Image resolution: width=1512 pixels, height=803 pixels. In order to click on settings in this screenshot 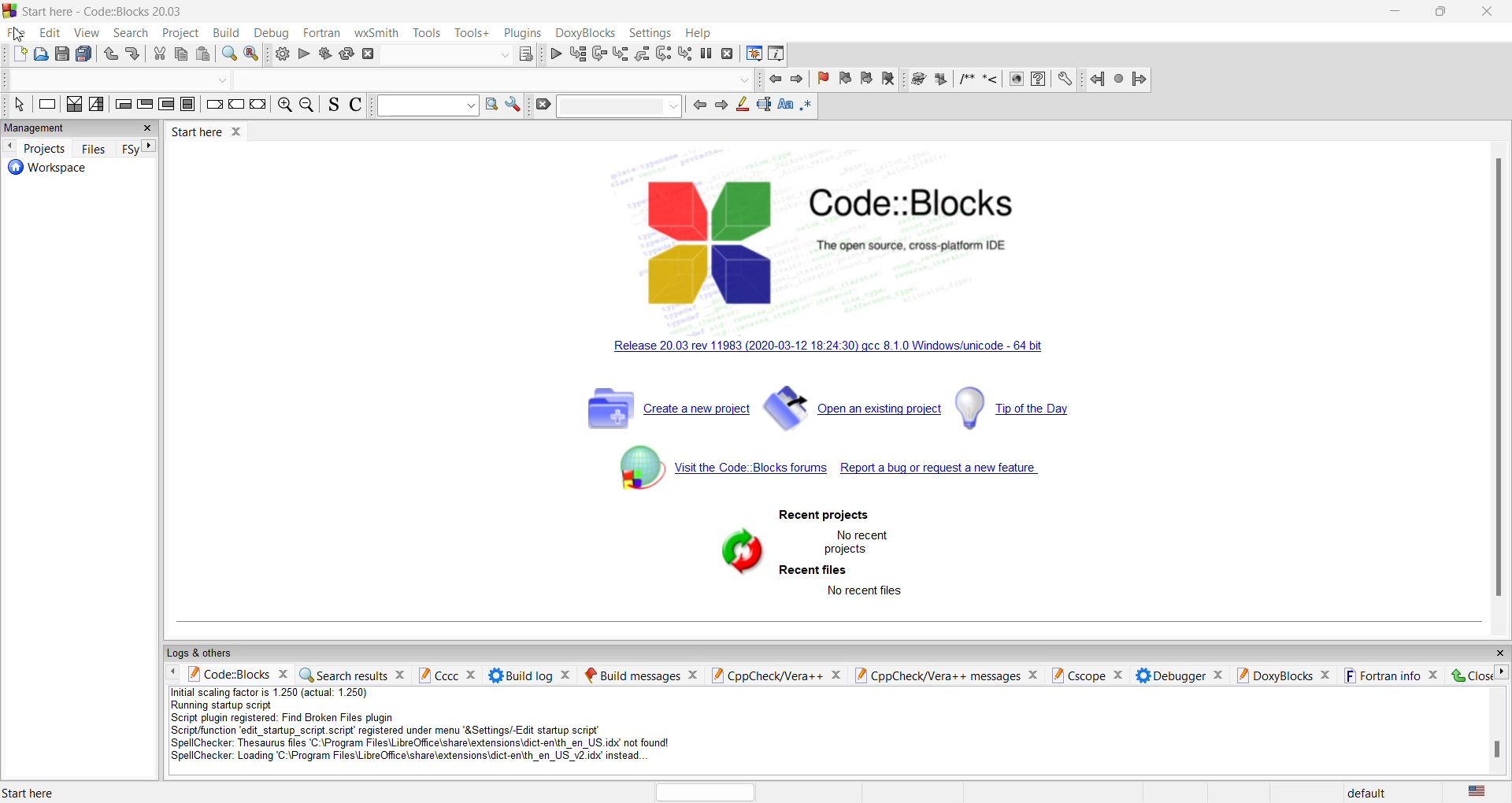, I will do `click(650, 32)`.